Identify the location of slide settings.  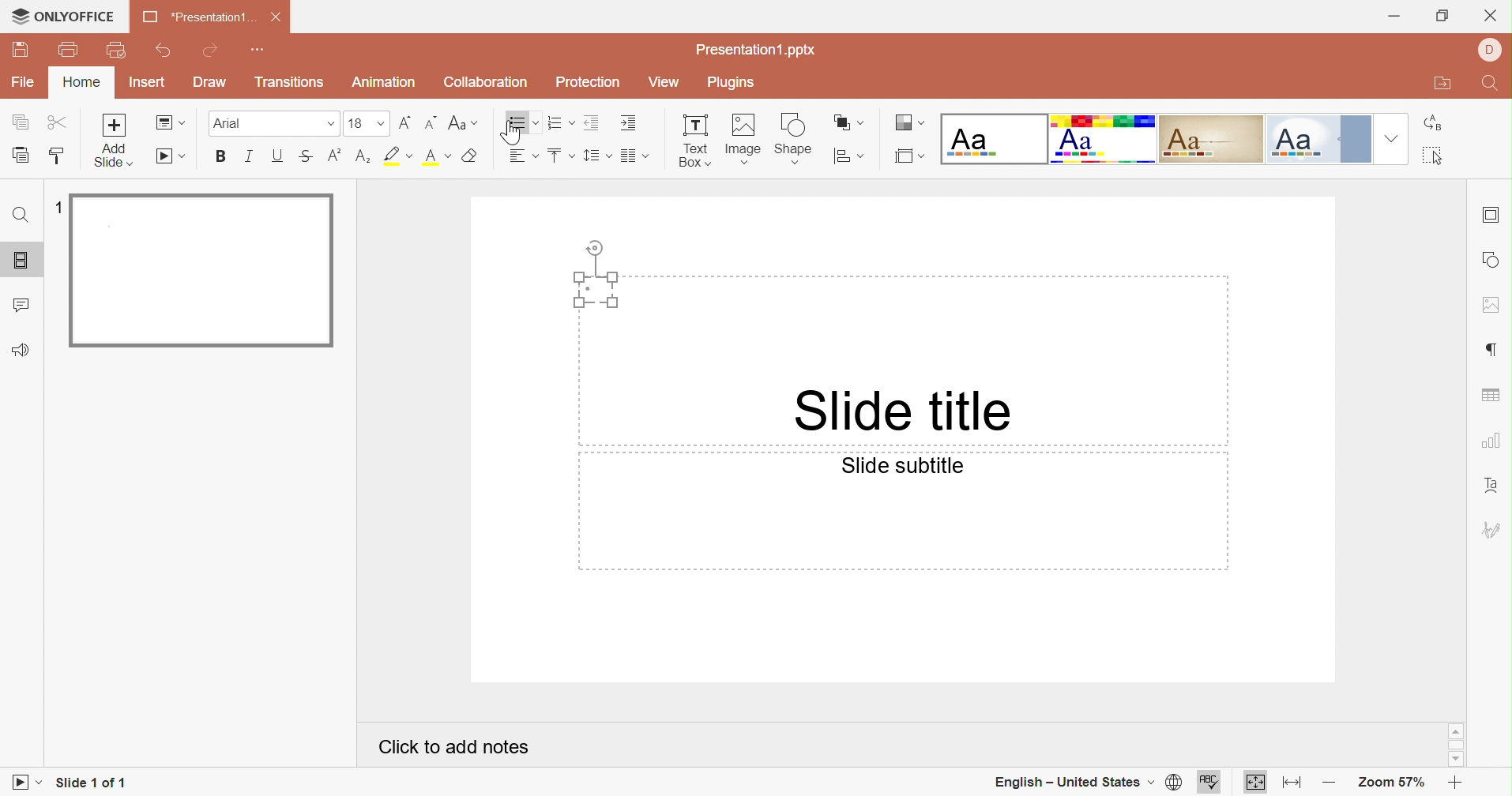
(1493, 213).